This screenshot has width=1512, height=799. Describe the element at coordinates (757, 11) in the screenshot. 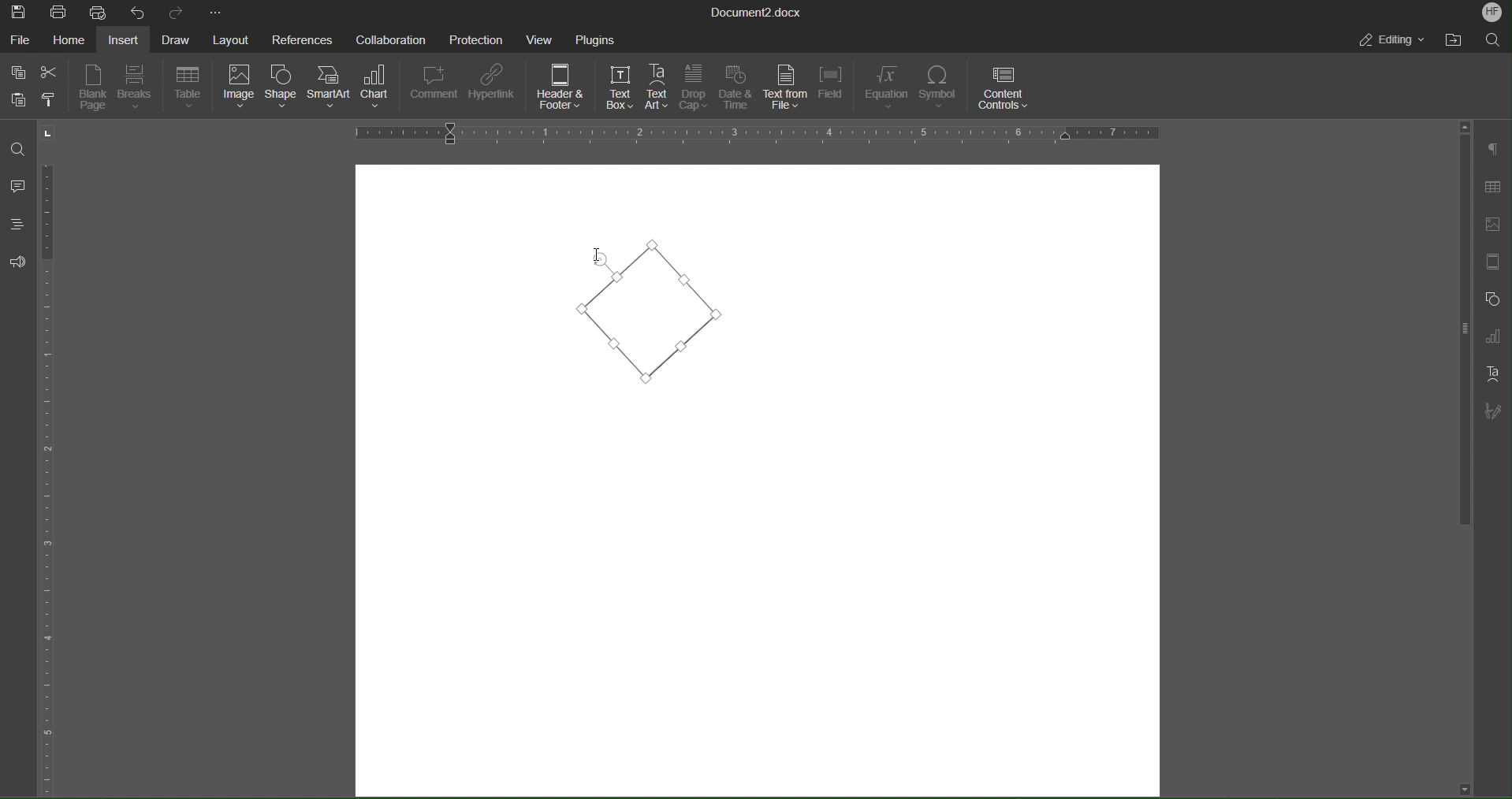

I see `Document Title` at that location.